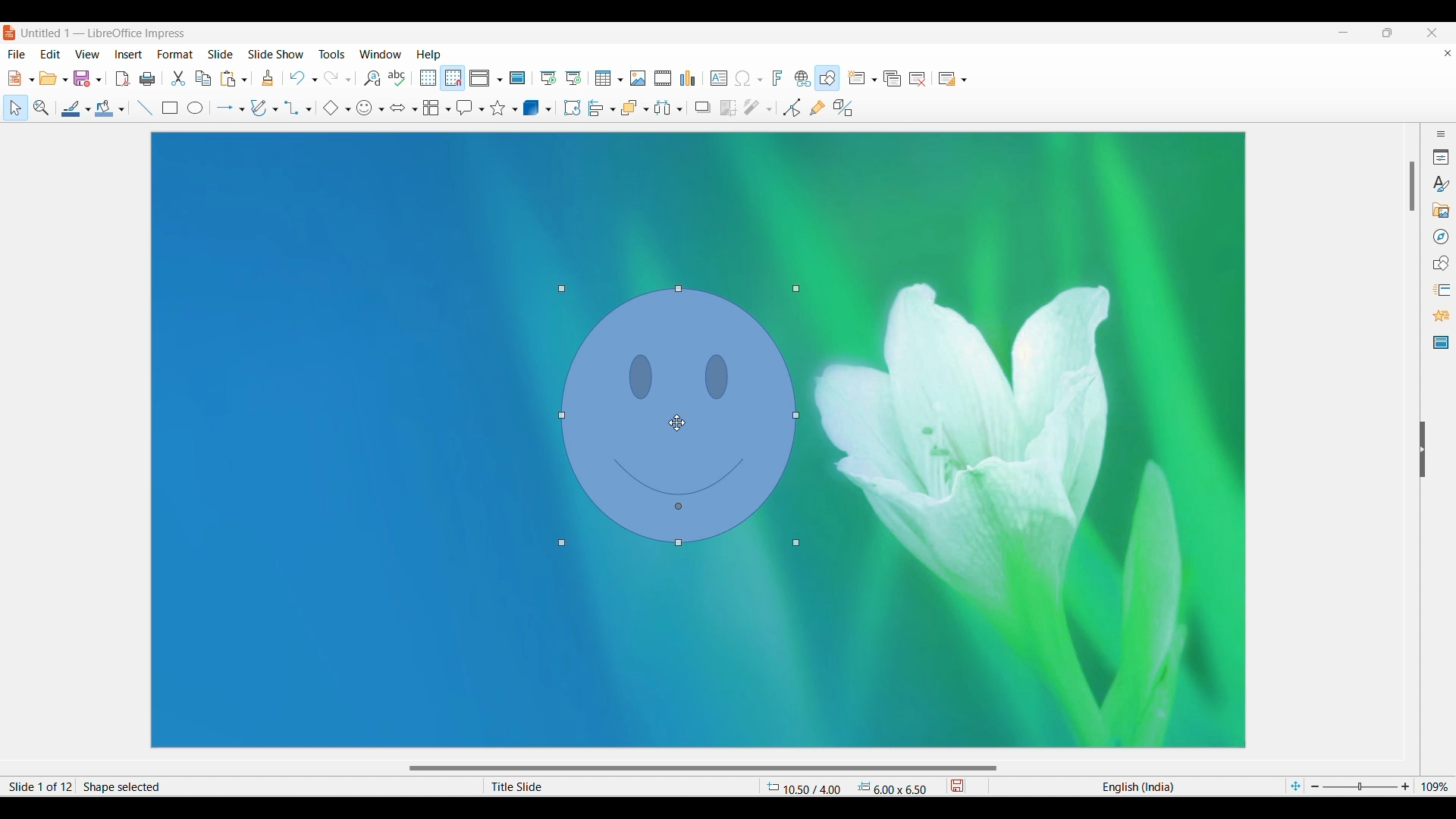  Describe the element at coordinates (242, 110) in the screenshot. I see `Line and arrow options` at that location.